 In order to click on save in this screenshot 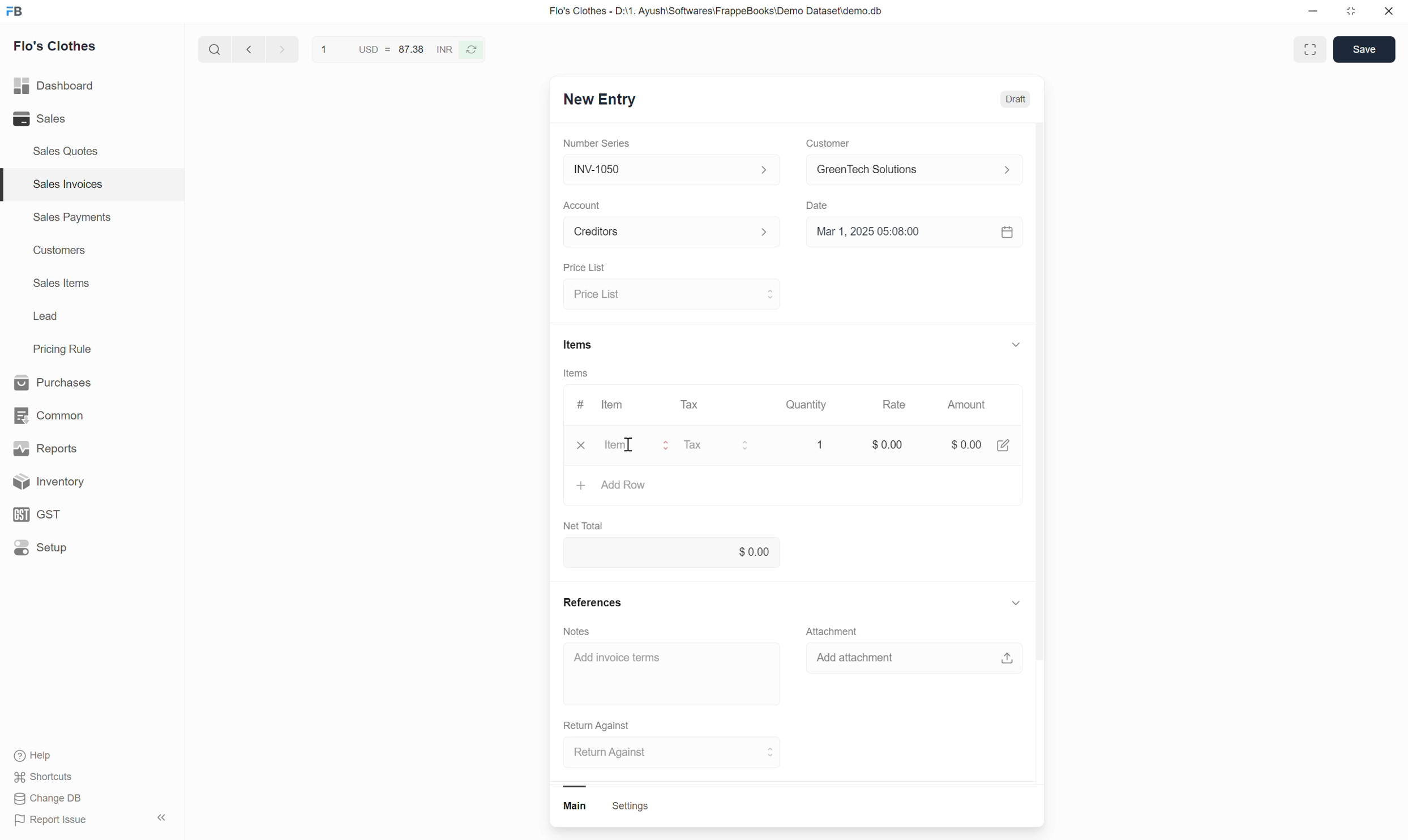, I will do `click(1363, 50)`.